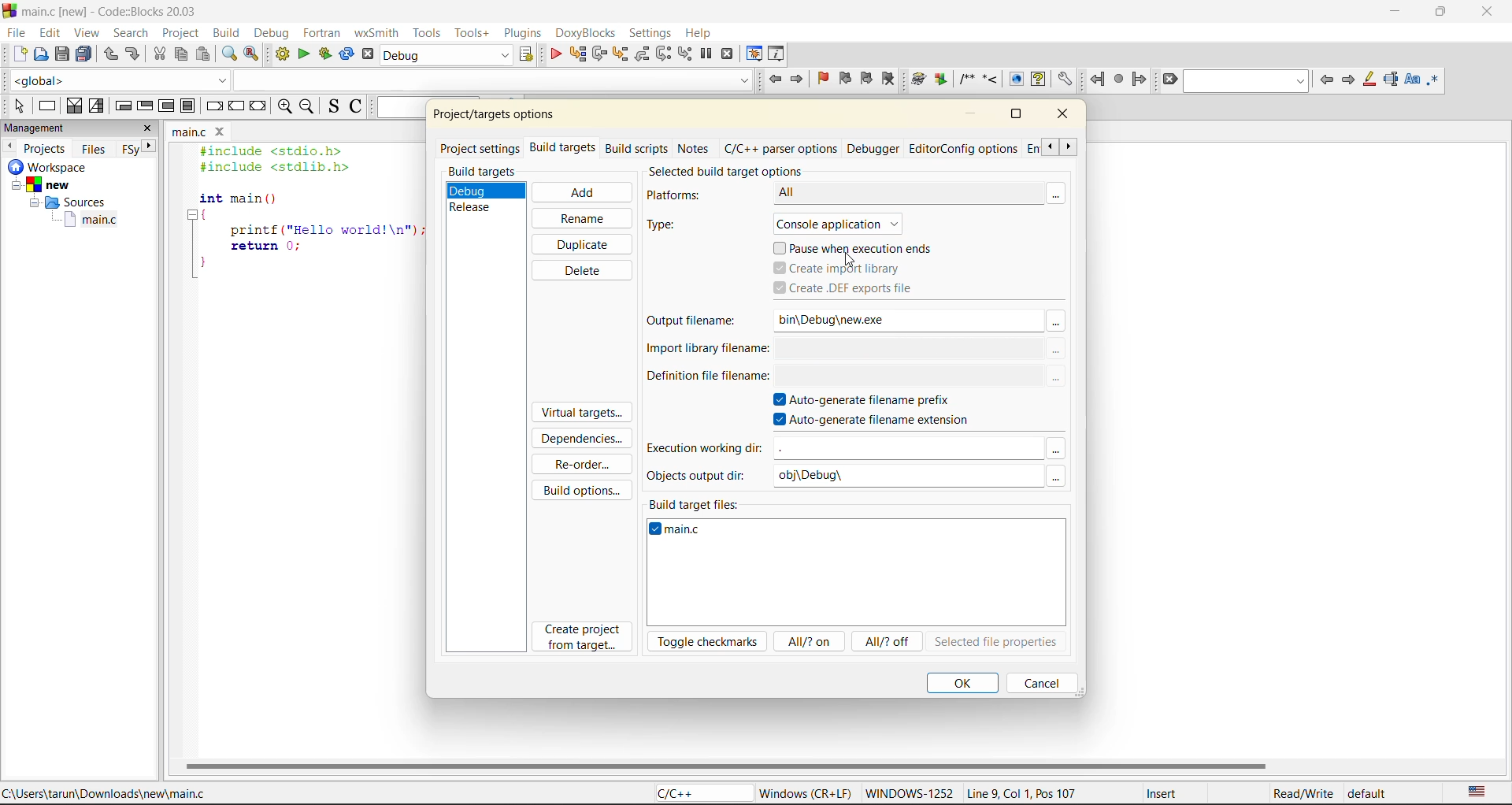  Describe the element at coordinates (1118, 80) in the screenshot. I see `last jump` at that location.